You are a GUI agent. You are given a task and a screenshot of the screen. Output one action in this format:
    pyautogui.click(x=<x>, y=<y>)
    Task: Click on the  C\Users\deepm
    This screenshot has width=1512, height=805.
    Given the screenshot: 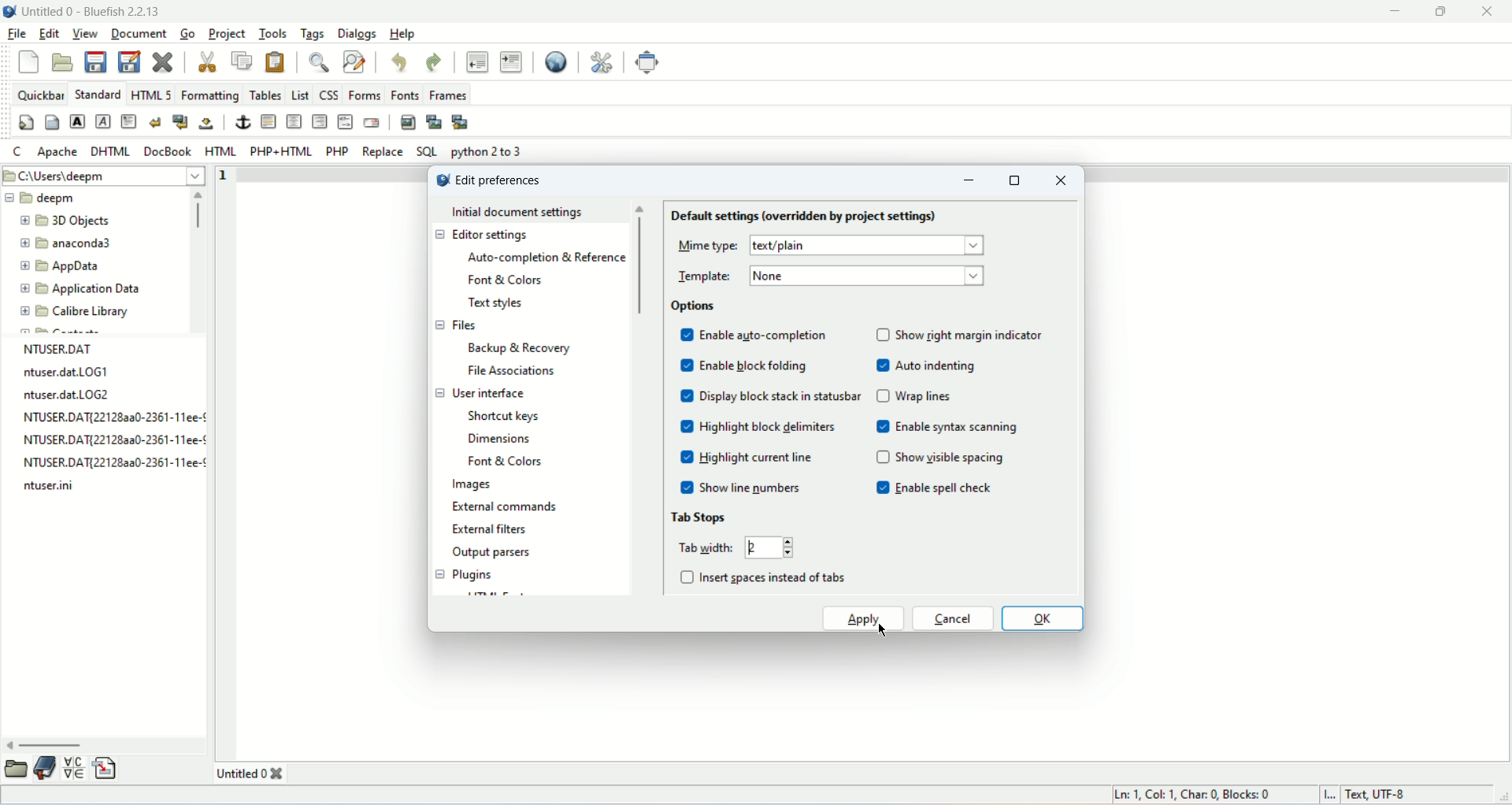 What is the action you would take?
    pyautogui.click(x=64, y=178)
    